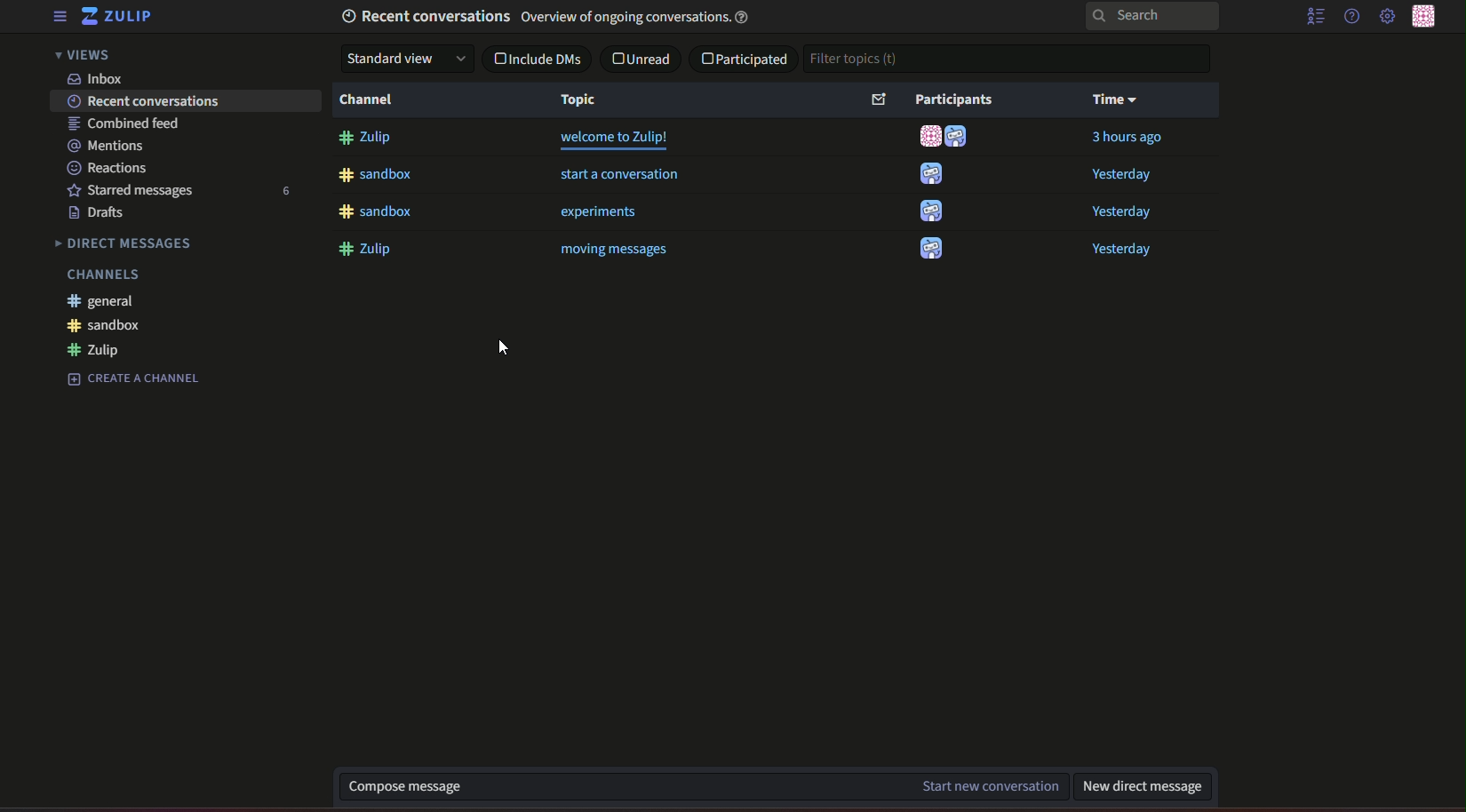  I want to click on New direct message, so click(1143, 786).